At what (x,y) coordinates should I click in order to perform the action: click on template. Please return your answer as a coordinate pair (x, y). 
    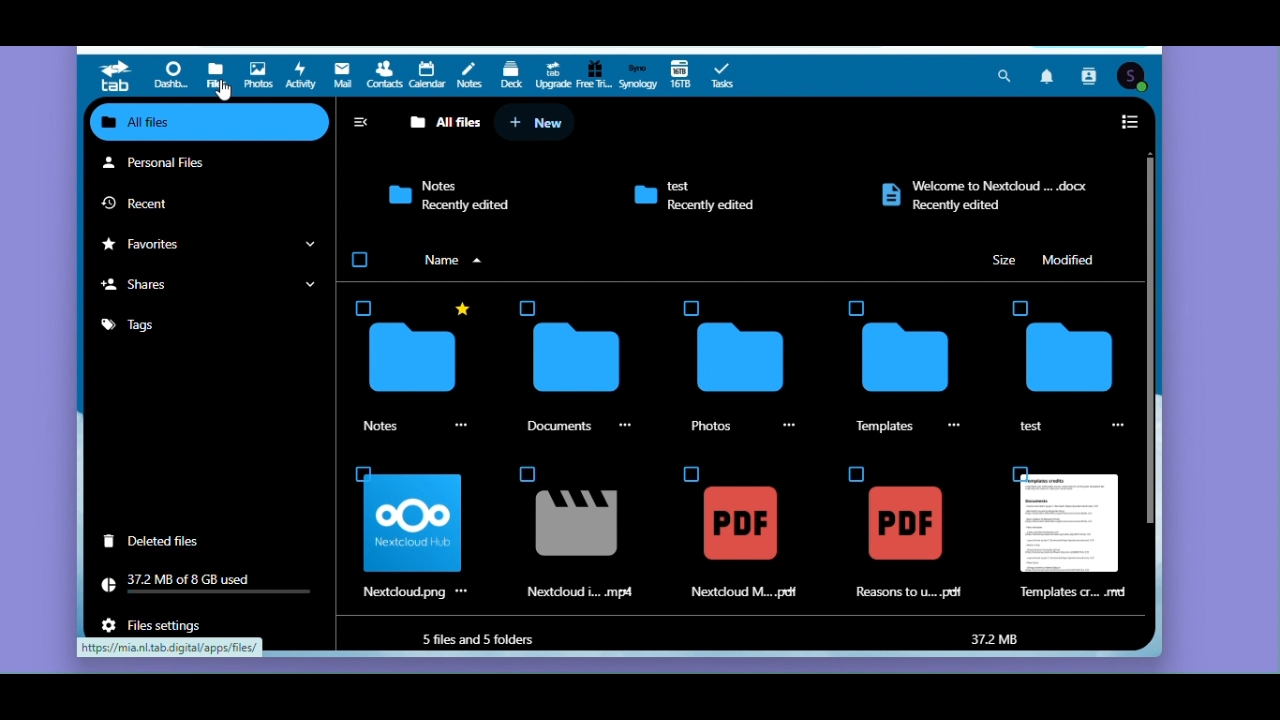
    Looking at the image, I should click on (1067, 535).